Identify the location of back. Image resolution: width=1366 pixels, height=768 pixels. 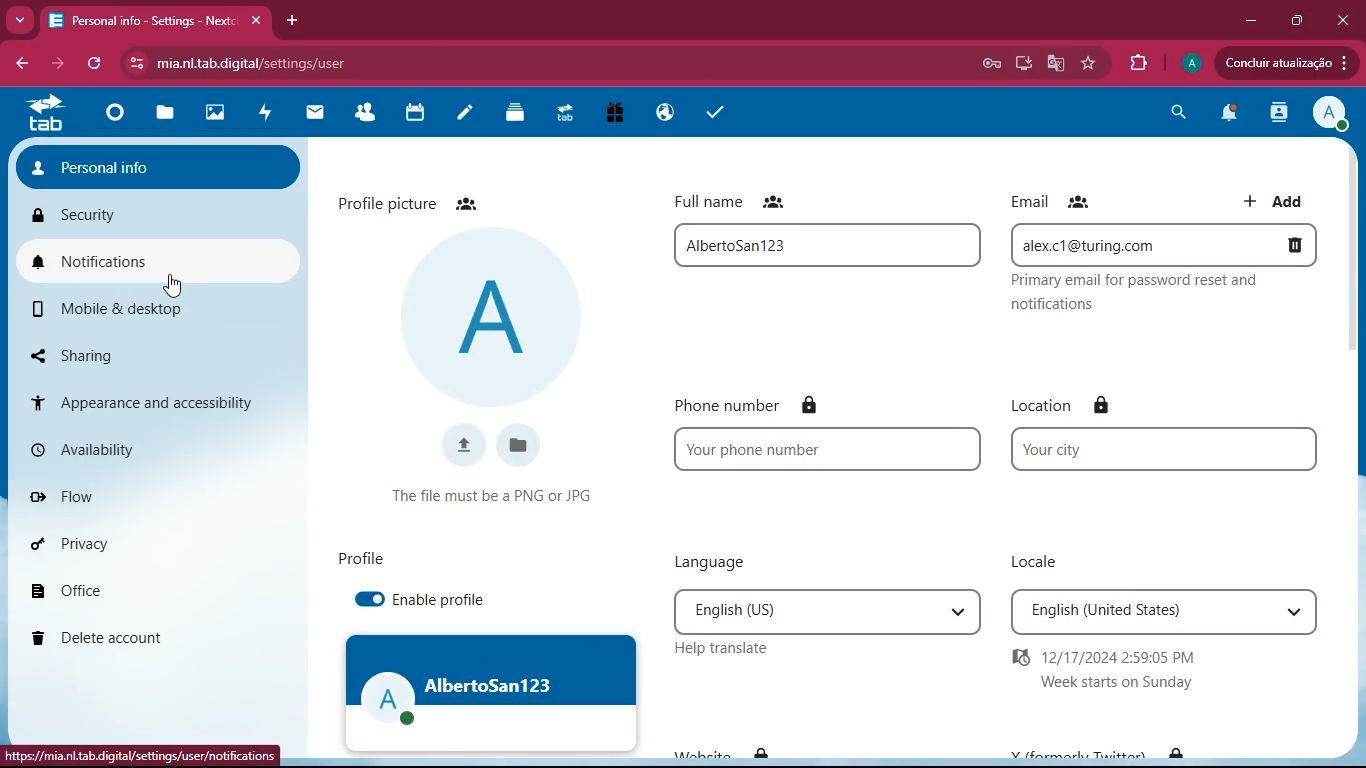
(23, 65).